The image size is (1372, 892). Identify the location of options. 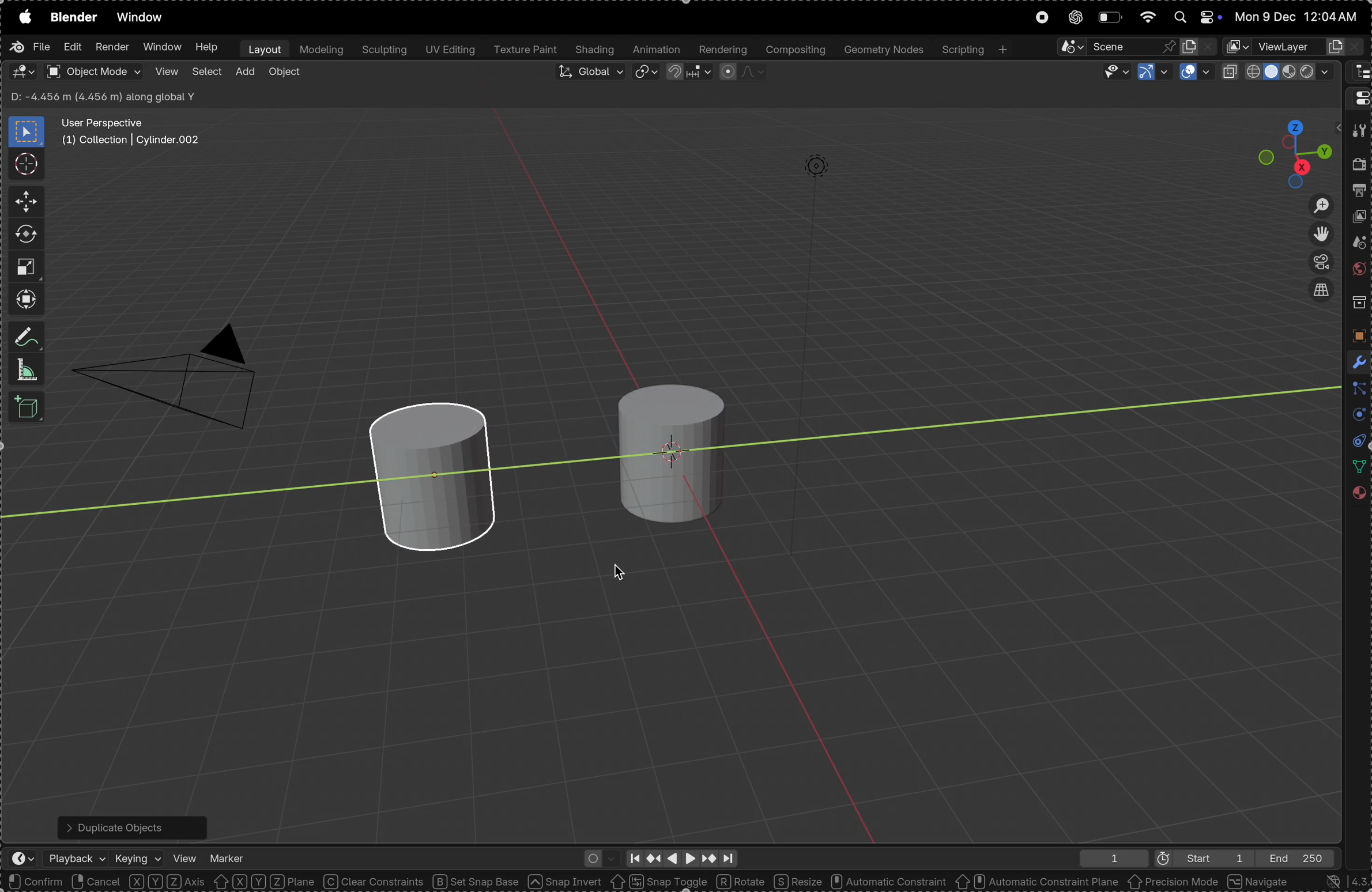
(1302, 98).